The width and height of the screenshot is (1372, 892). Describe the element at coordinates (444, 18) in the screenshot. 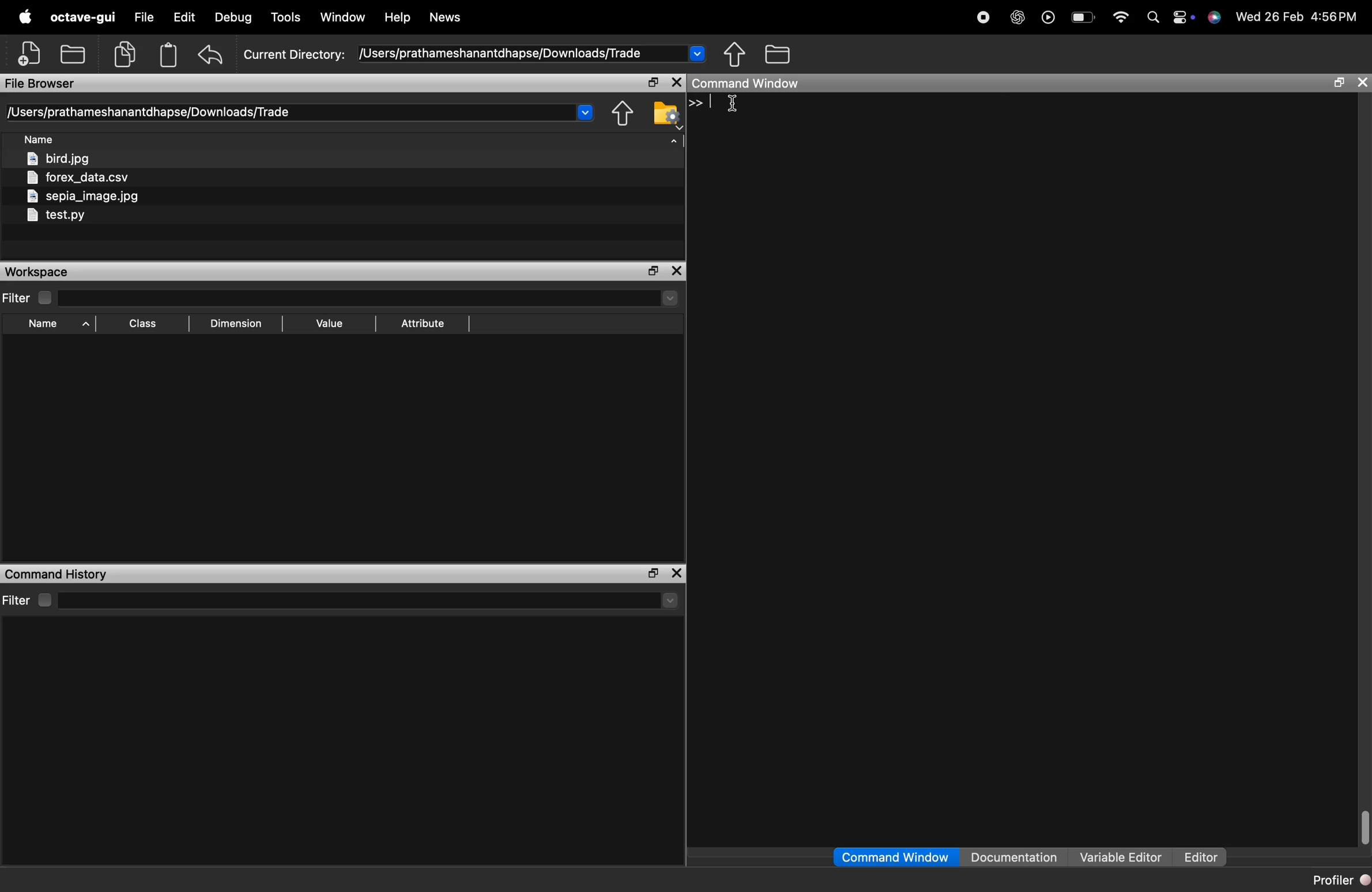

I see `News` at that location.